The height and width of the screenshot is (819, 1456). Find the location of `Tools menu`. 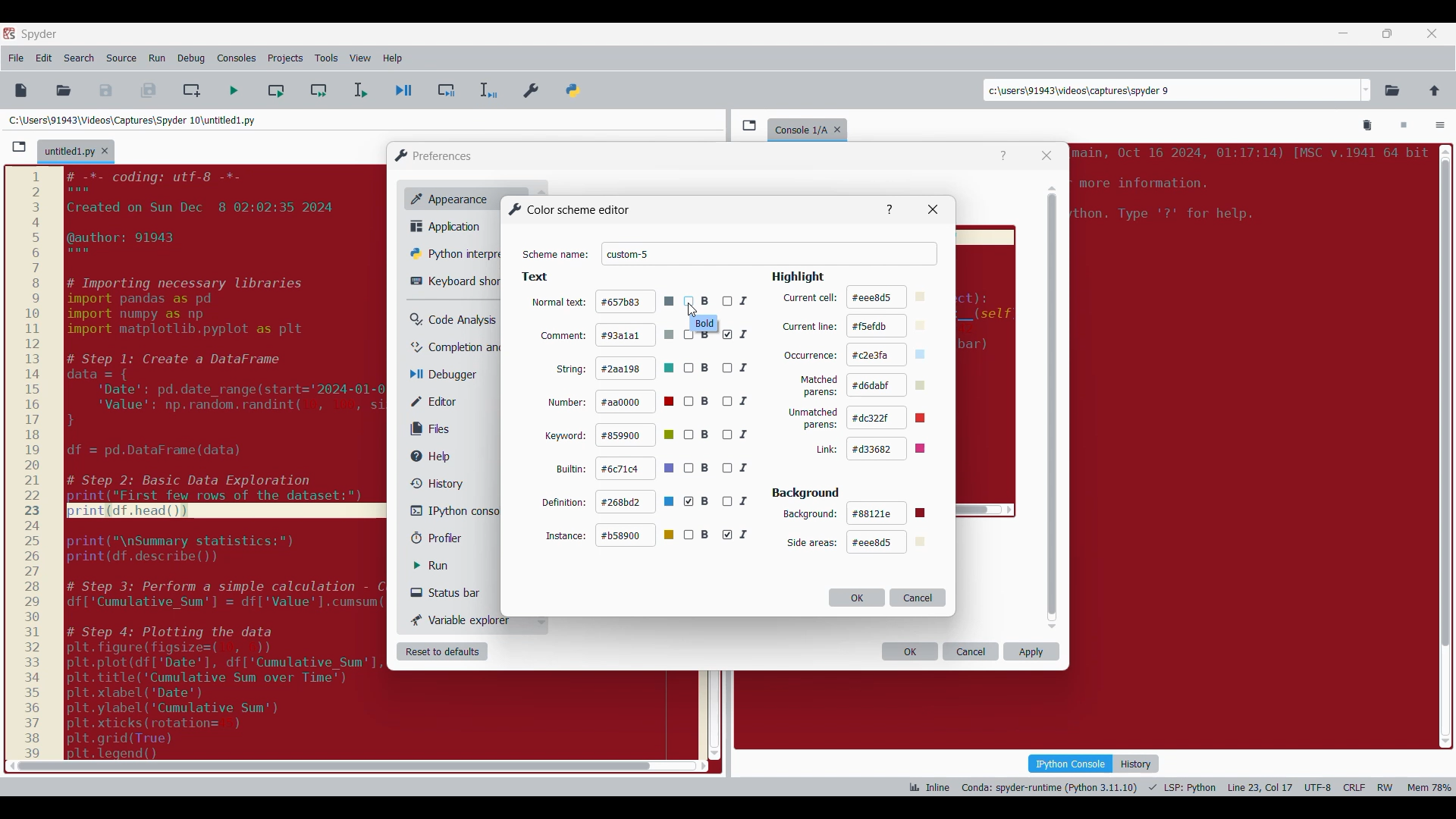

Tools menu is located at coordinates (326, 58).